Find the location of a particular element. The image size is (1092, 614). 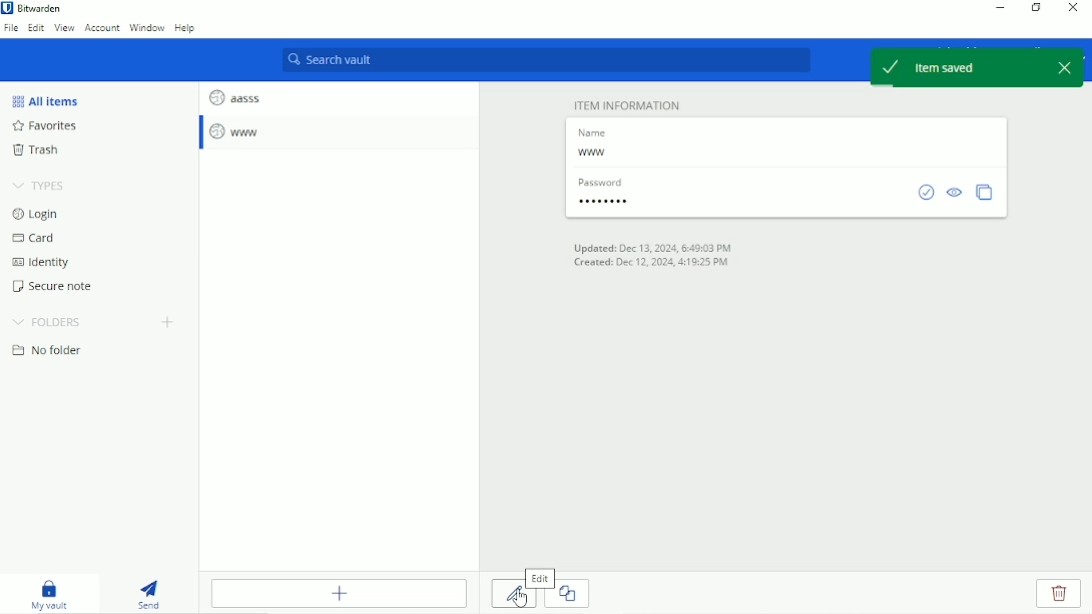

Item information is located at coordinates (621, 102).